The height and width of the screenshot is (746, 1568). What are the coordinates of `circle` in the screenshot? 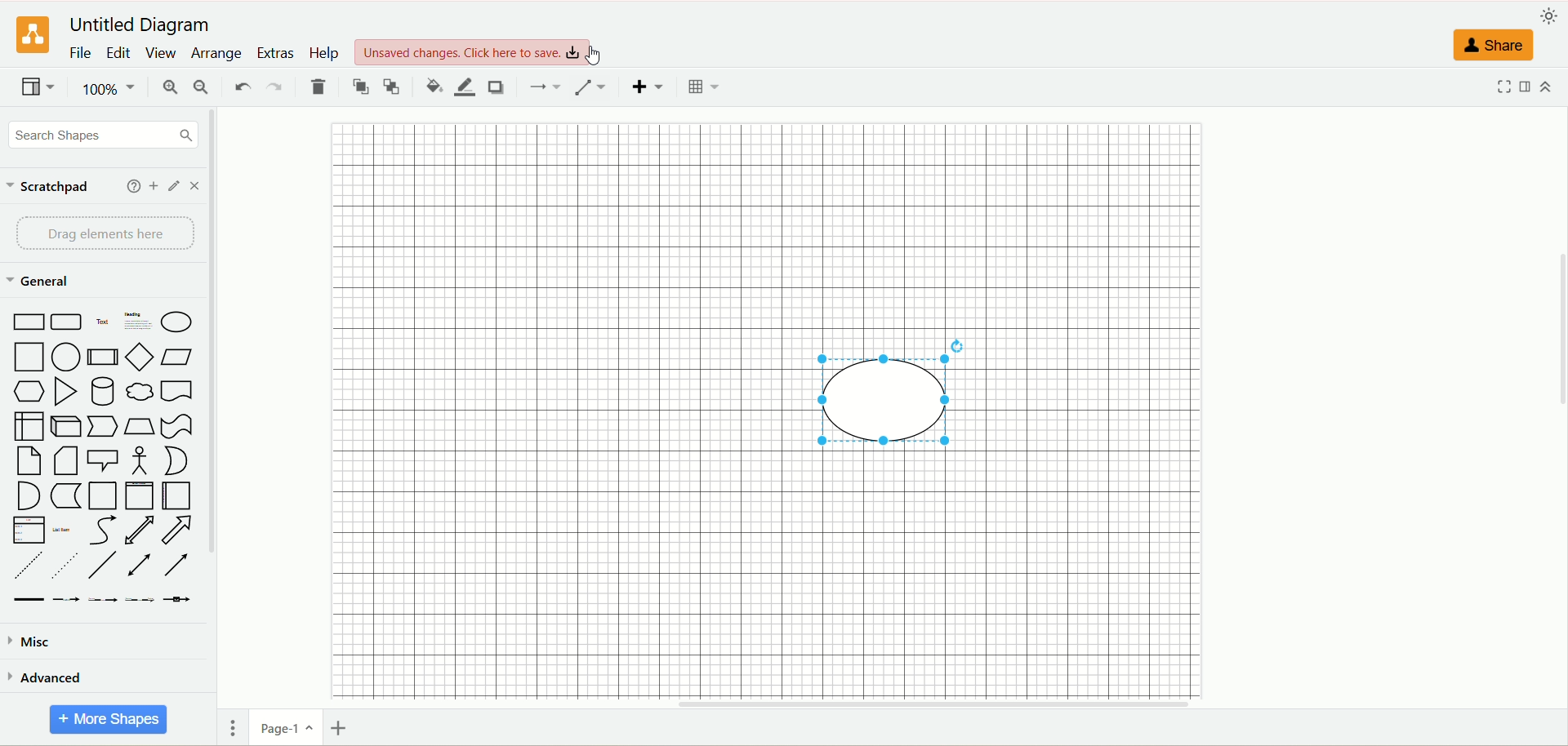 It's located at (65, 356).